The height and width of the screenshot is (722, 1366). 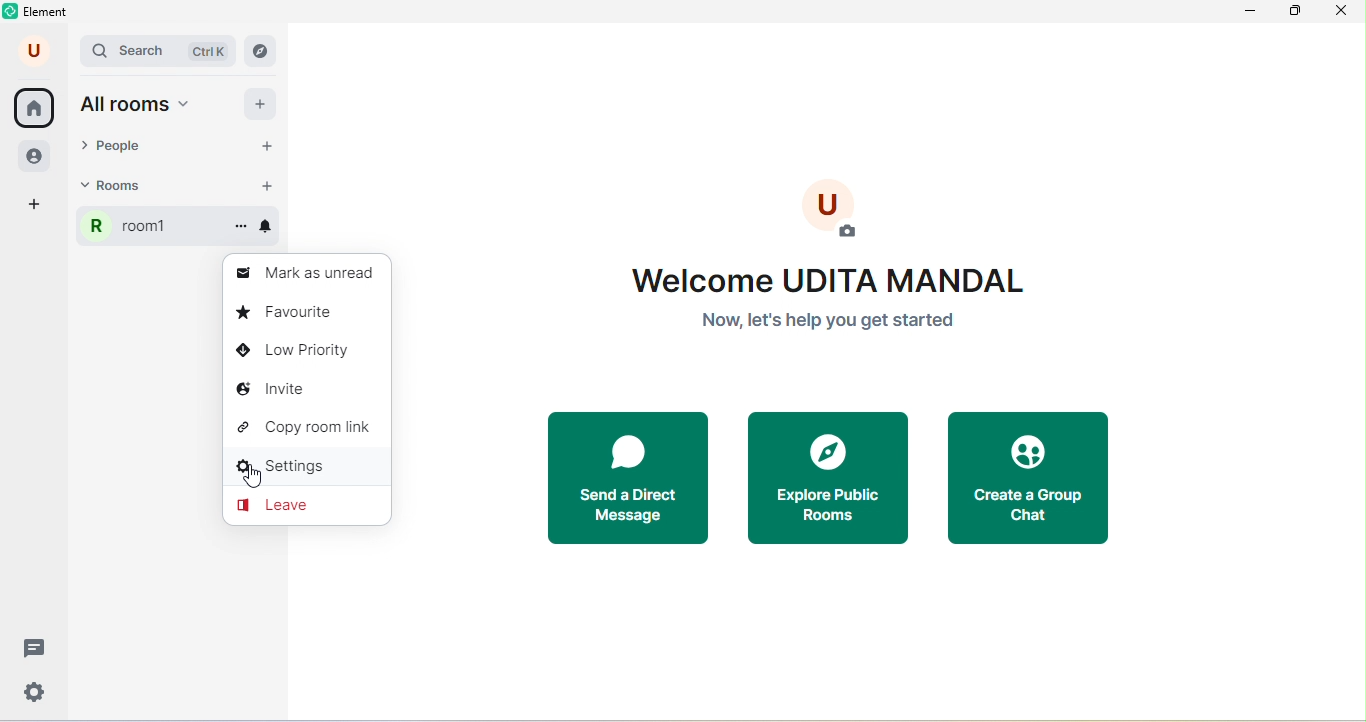 I want to click on low priority, so click(x=299, y=352).